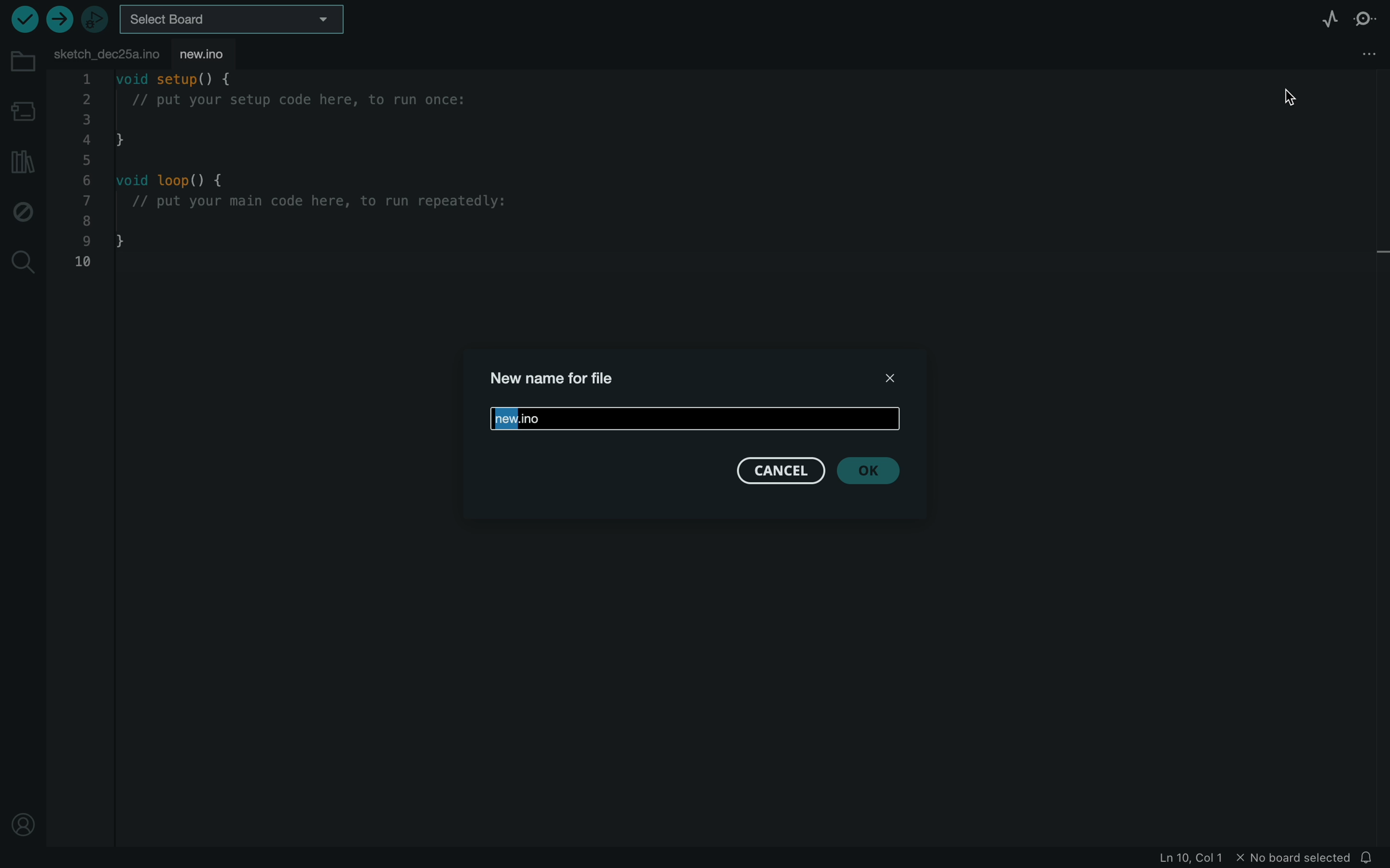  Describe the element at coordinates (1295, 94) in the screenshot. I see `curser` at that location.